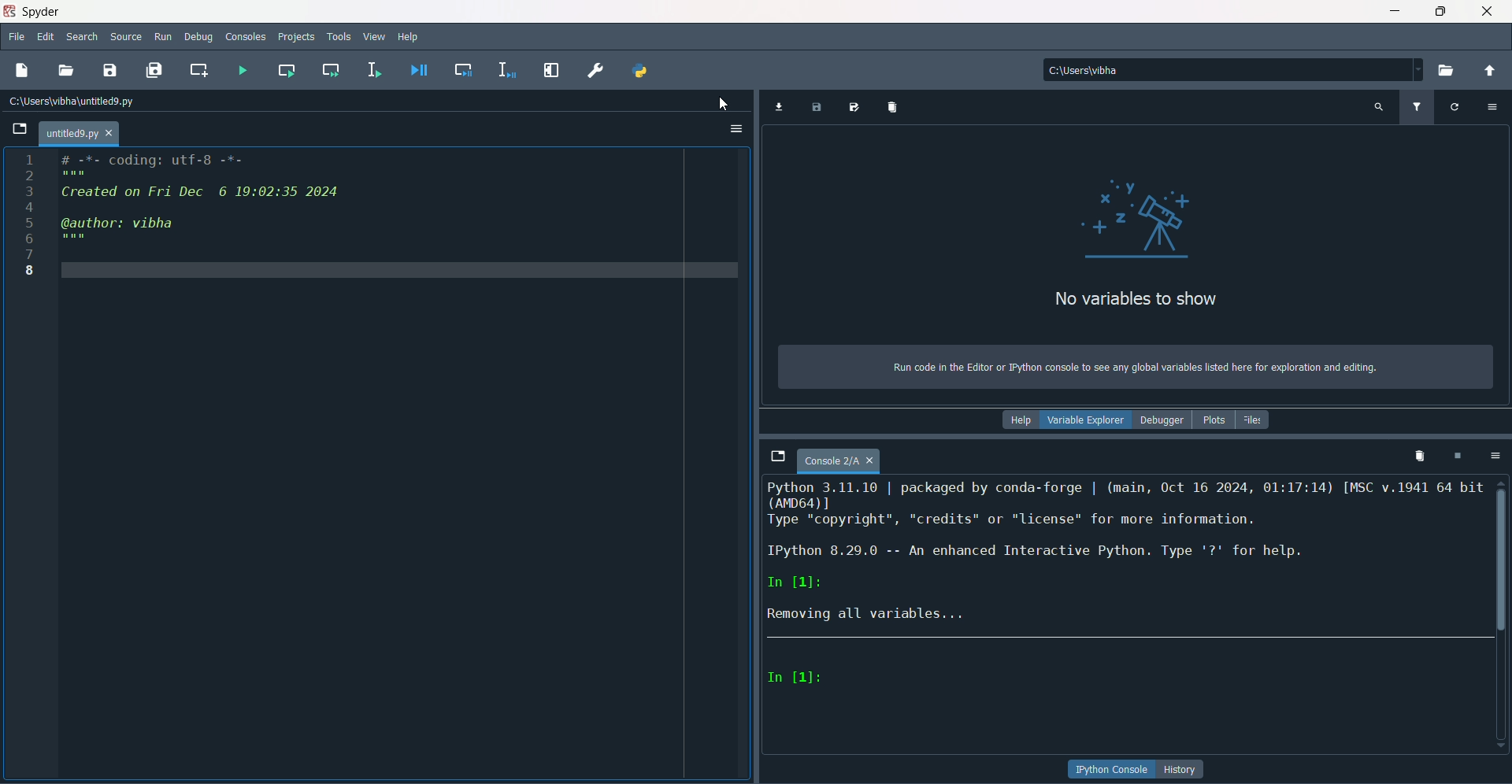 The height and width of the screenshot is (784, 1512). I want to click on options, so click(1492, 455).